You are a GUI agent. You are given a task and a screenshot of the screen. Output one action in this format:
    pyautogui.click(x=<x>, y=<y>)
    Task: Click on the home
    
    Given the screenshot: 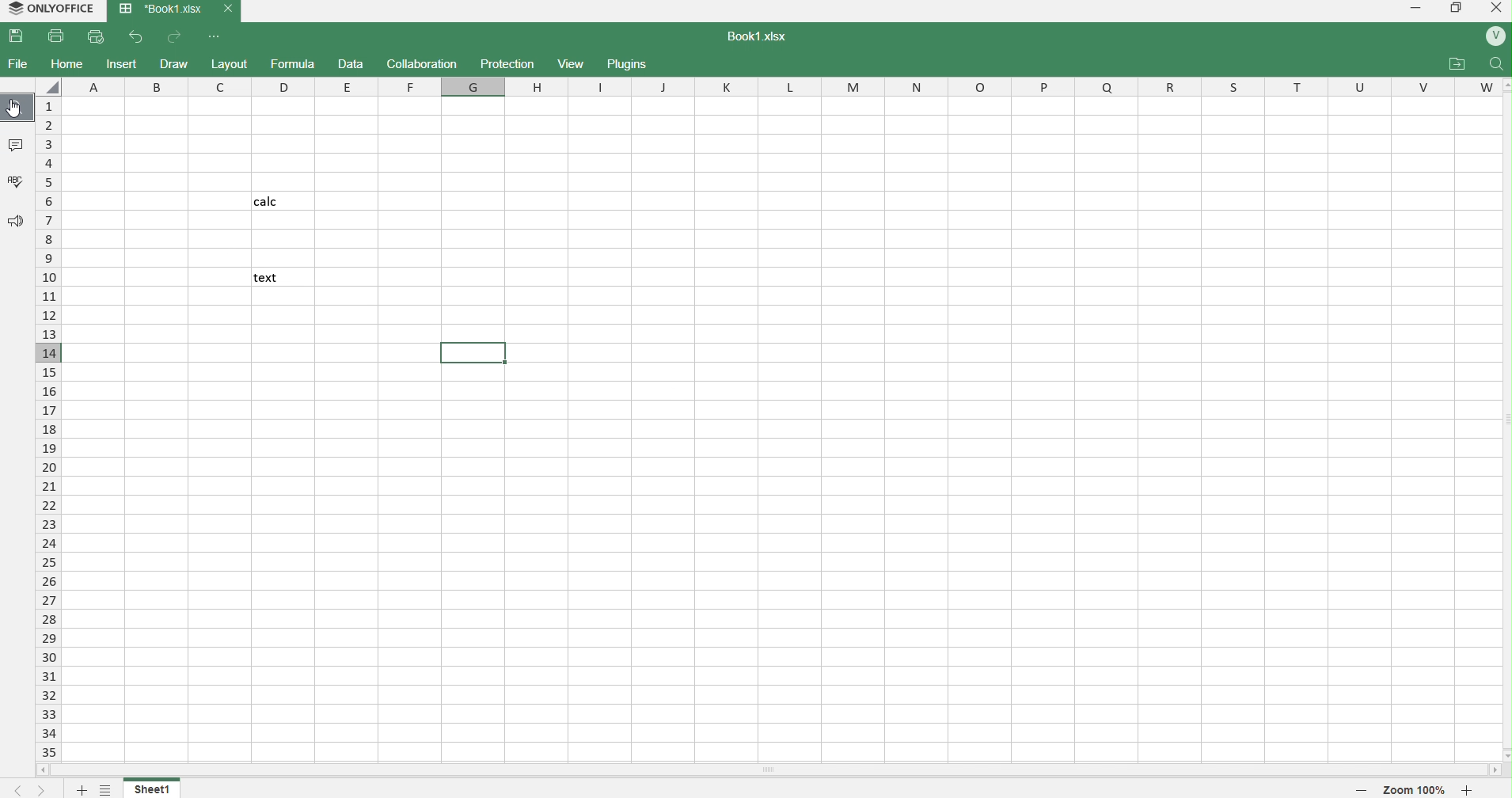 What is the action you would take?
    pyautogui.click(x=71, y=64)
    